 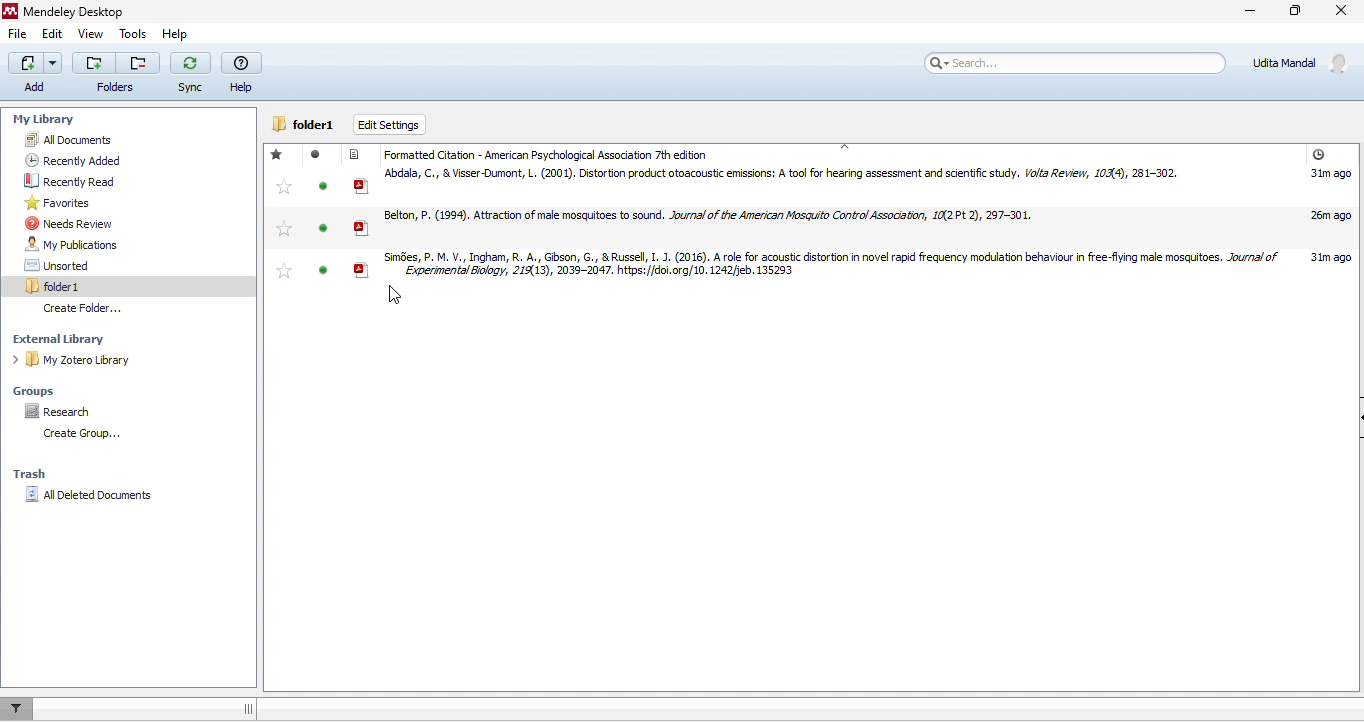 What do you see at coordinates (323, 212) in the screenshot?
I see `read / unread` at bounding box center [323, 212].